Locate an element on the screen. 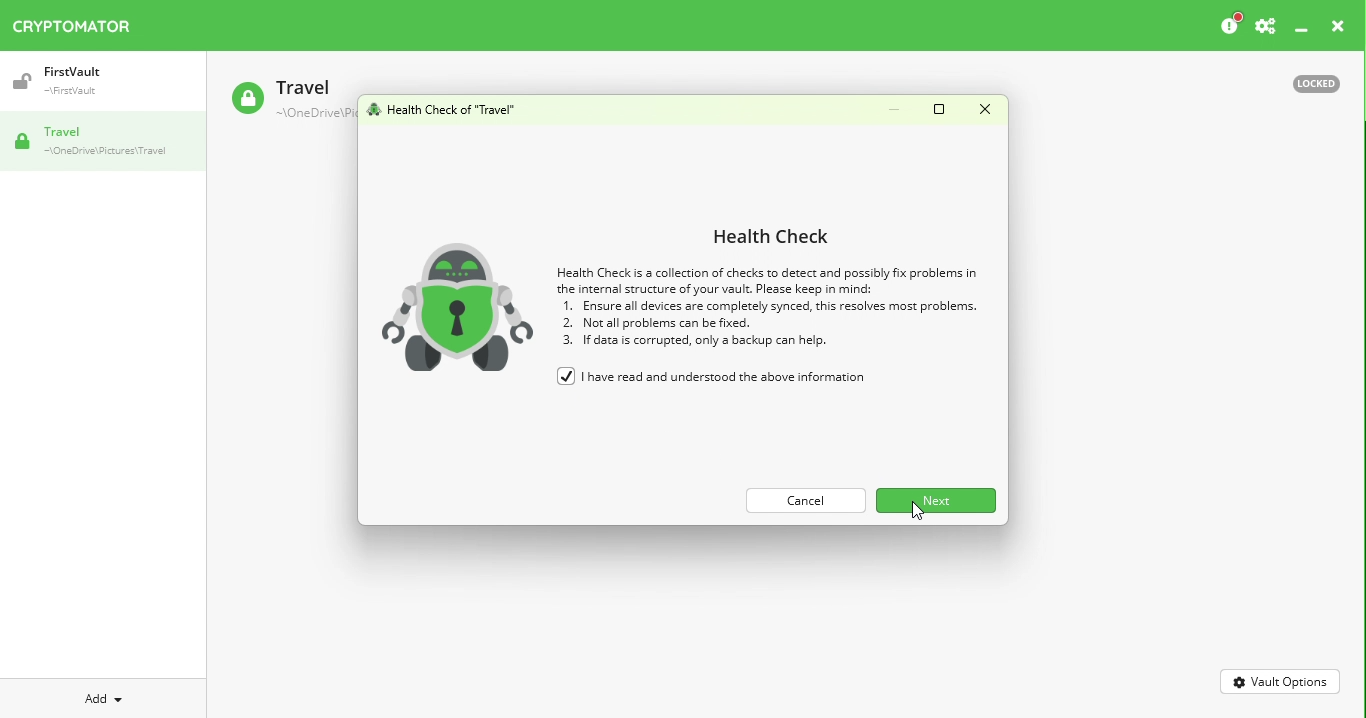  Maximize is located at coordinates (937, 110).